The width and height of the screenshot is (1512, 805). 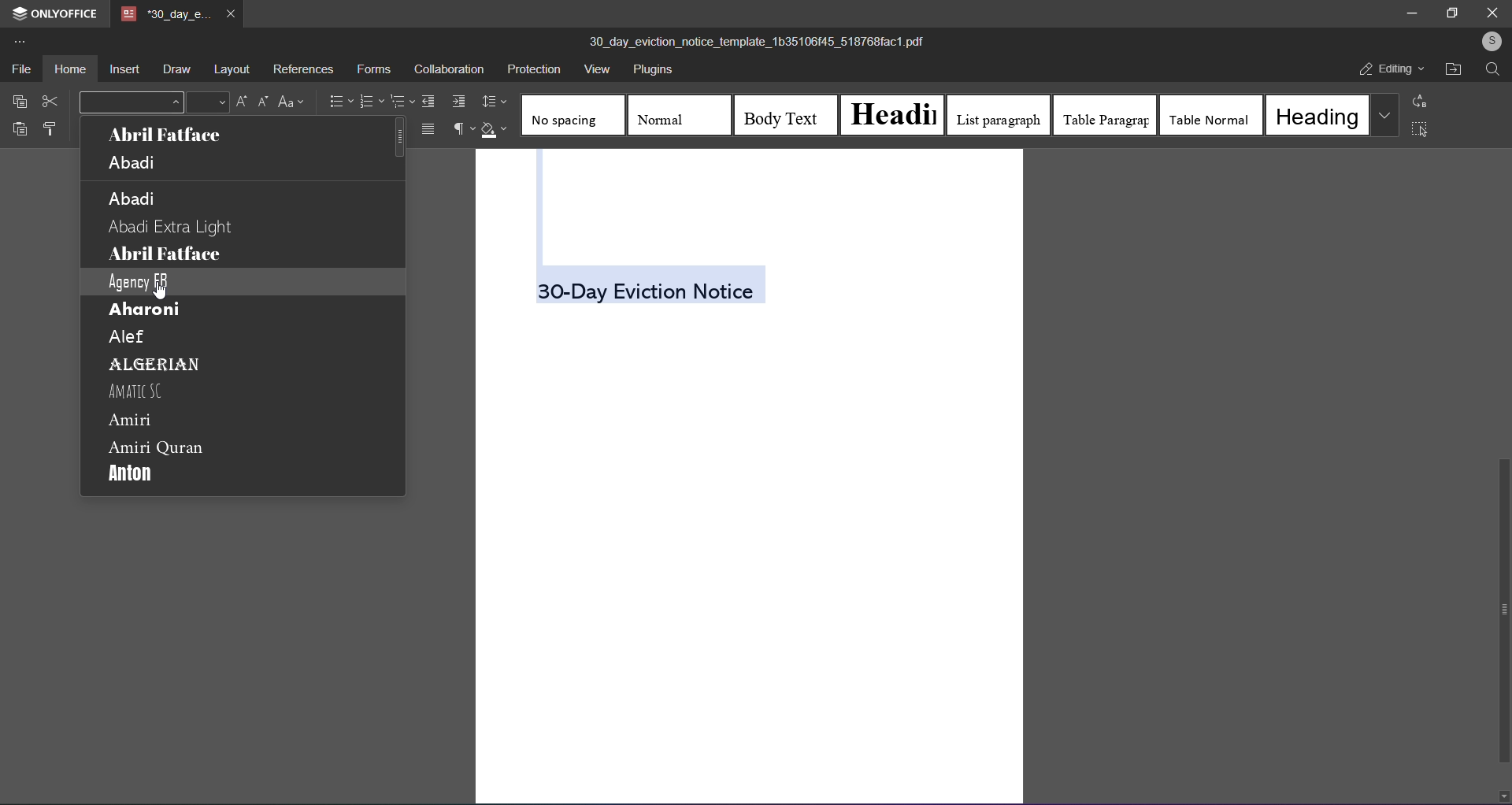 What do you see at coordinates (52, 12) in the screenshot?
I see `onlyoffice` at bounding box center [52, 12].